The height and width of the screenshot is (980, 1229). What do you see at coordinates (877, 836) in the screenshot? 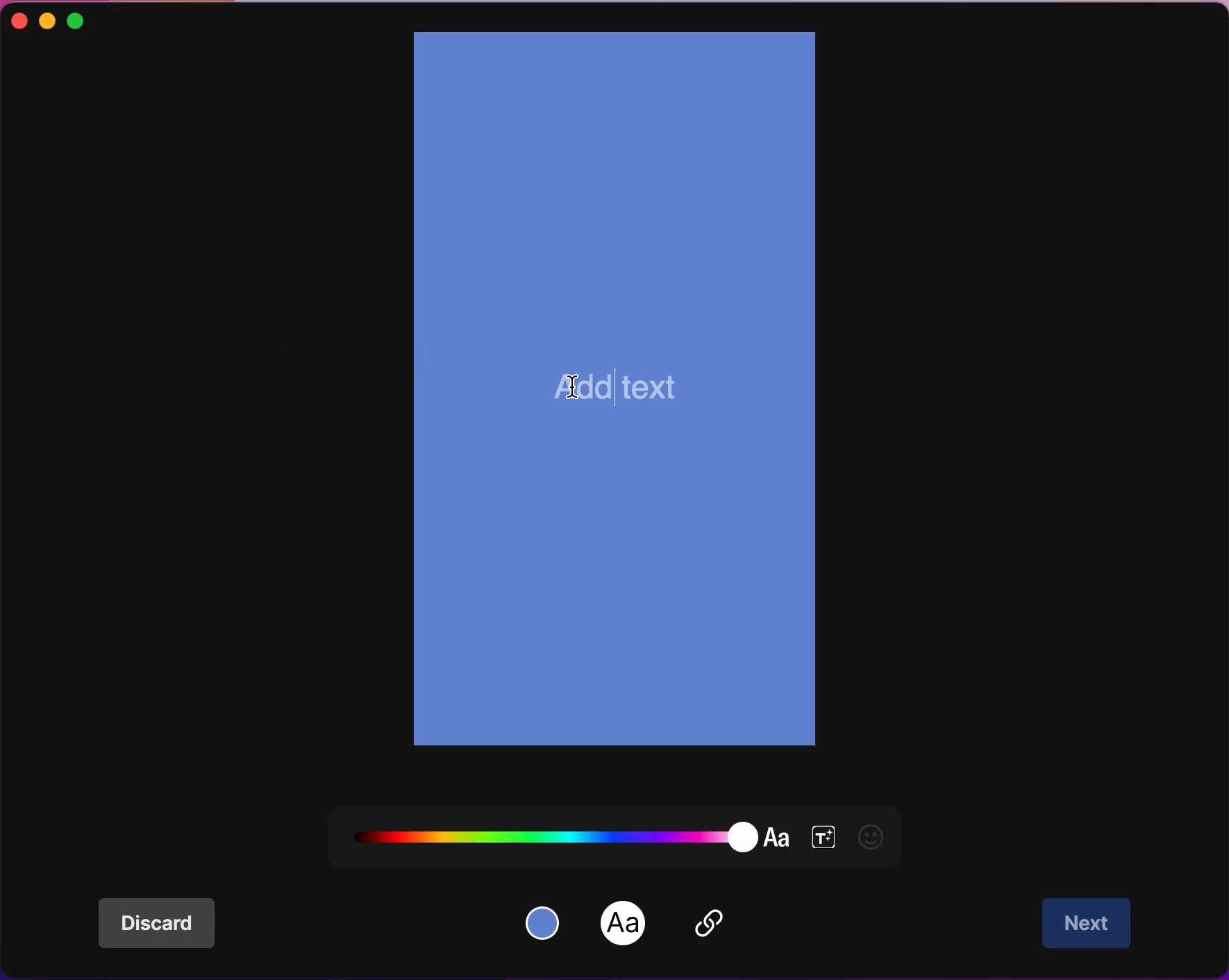
I see `emoji` at bounding box center [877, 836].